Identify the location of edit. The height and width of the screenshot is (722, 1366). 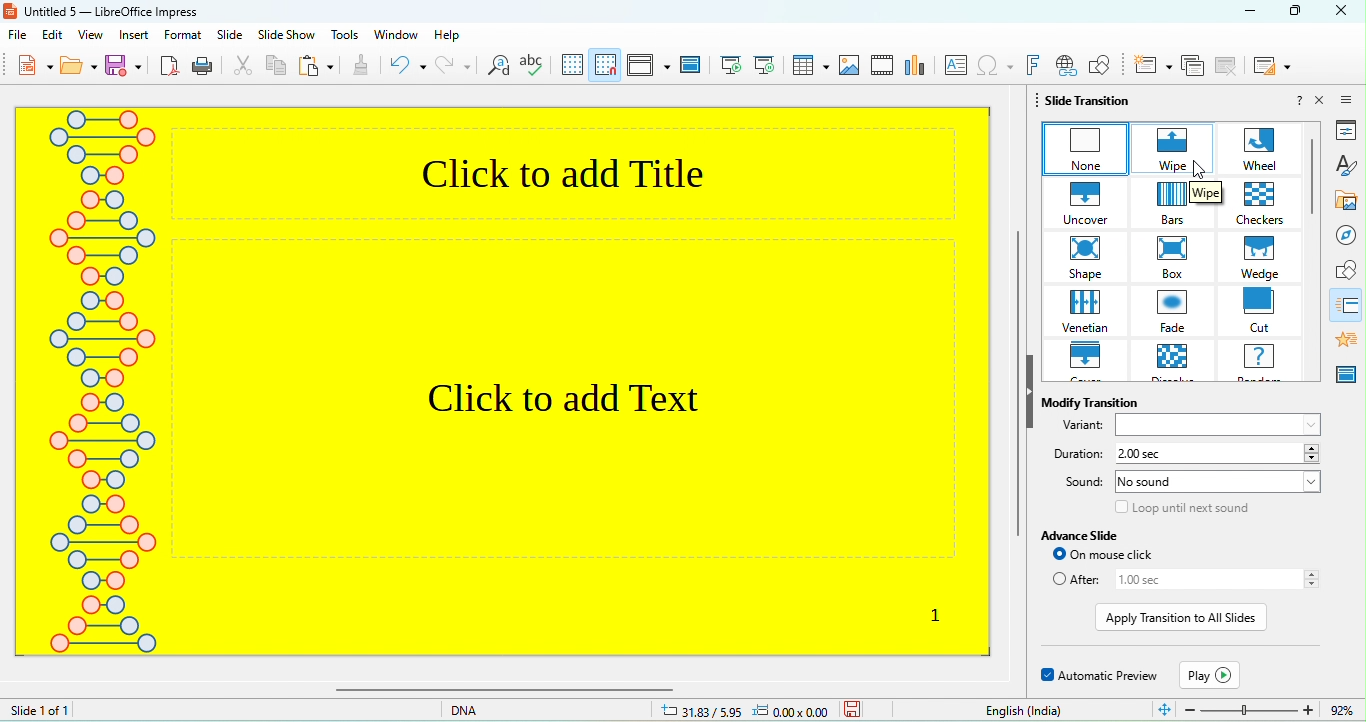
(53, 36).